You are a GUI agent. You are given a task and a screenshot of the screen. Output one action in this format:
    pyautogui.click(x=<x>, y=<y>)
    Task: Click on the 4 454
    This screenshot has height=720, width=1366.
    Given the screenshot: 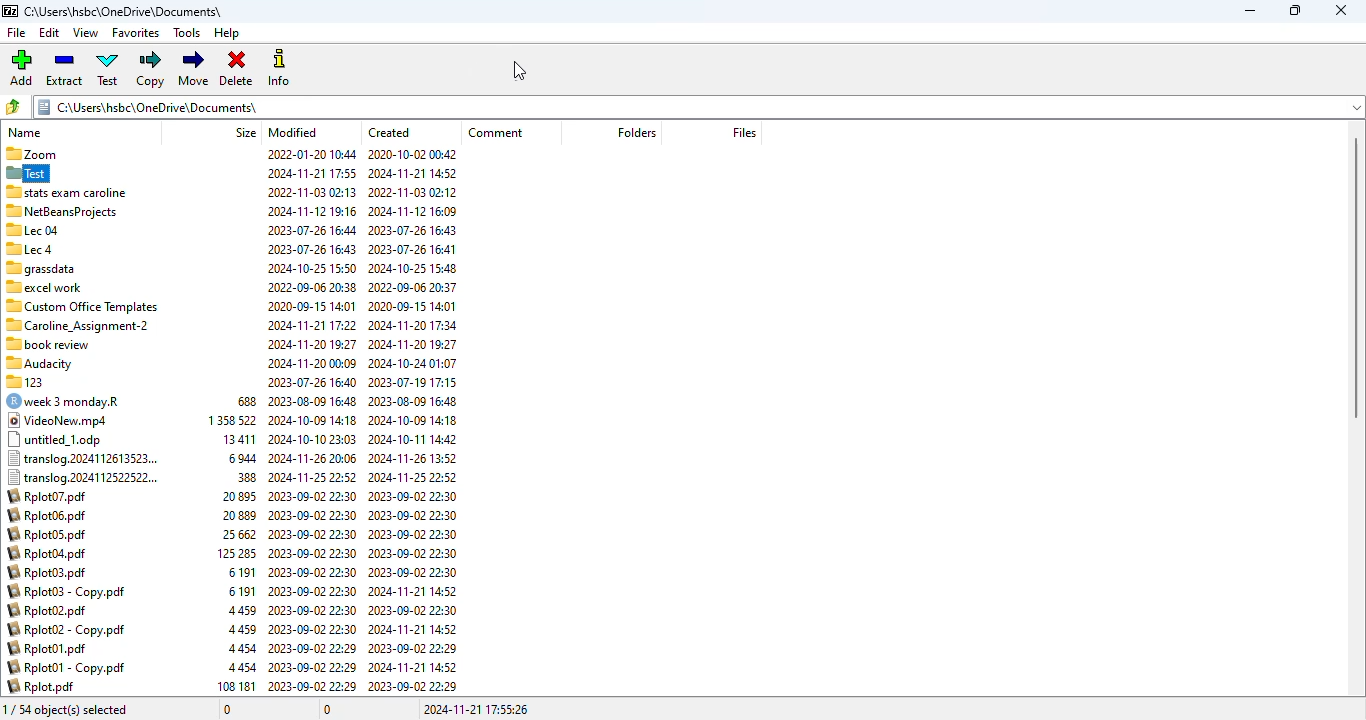 What is the action you would take?
    pyautogui.click(x=241, y=668)
    